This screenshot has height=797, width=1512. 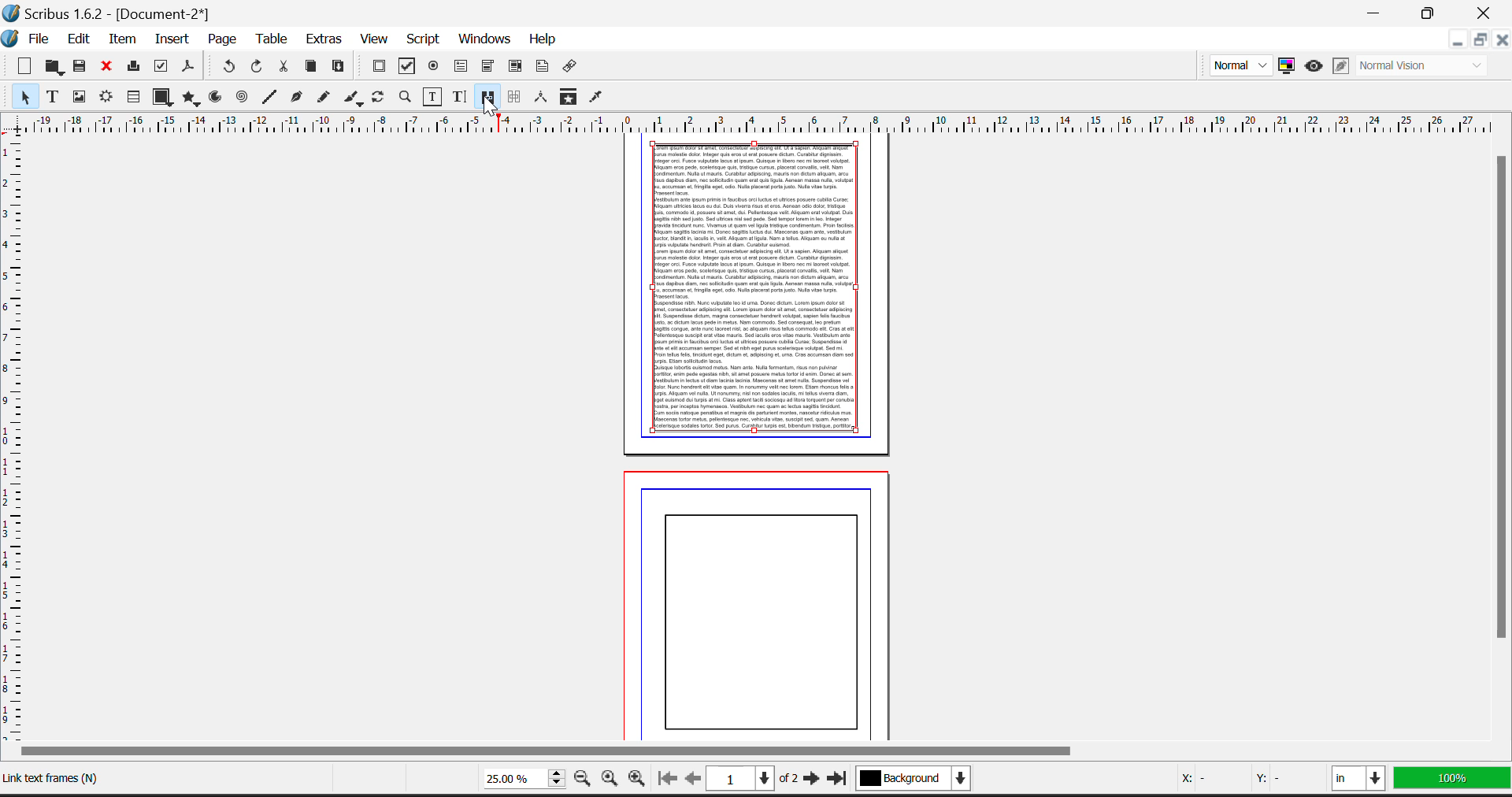 What do you see at coordinates (295, 98) in the screenshot?
I see `Bezier Curve` at bounding box center [295, 98].